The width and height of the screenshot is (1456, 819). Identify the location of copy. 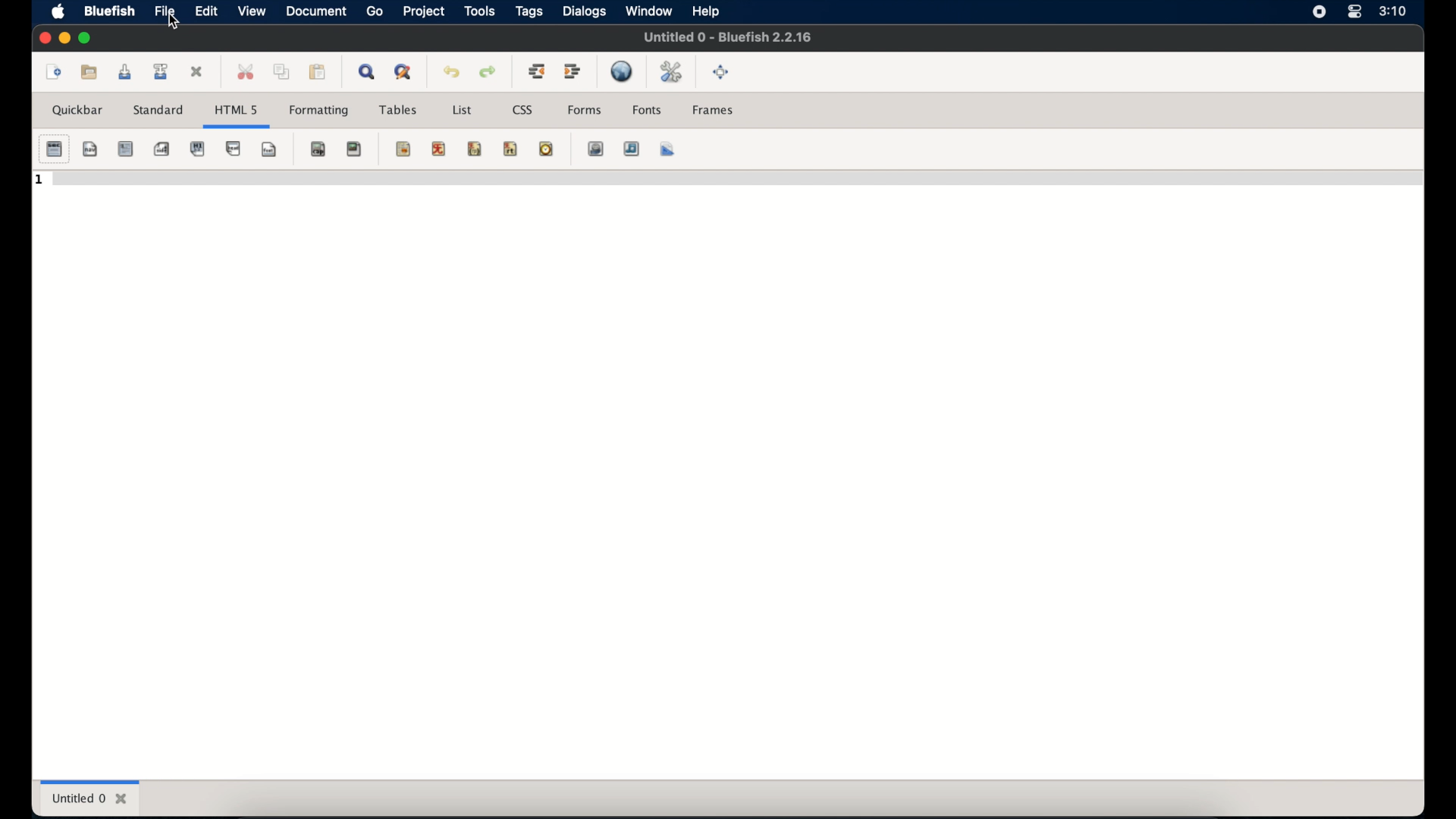
(281, 71).